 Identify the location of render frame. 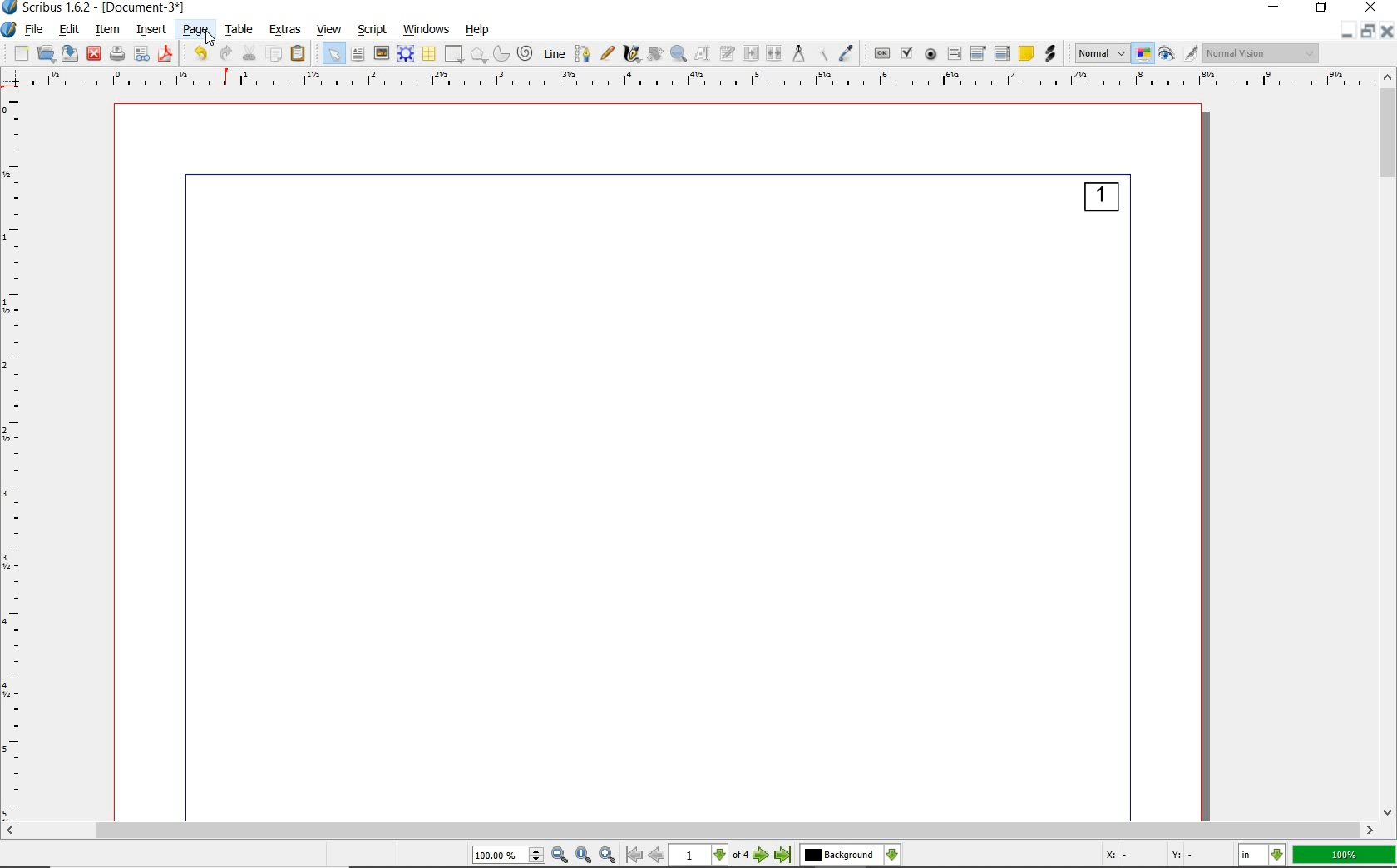
(407, 53).